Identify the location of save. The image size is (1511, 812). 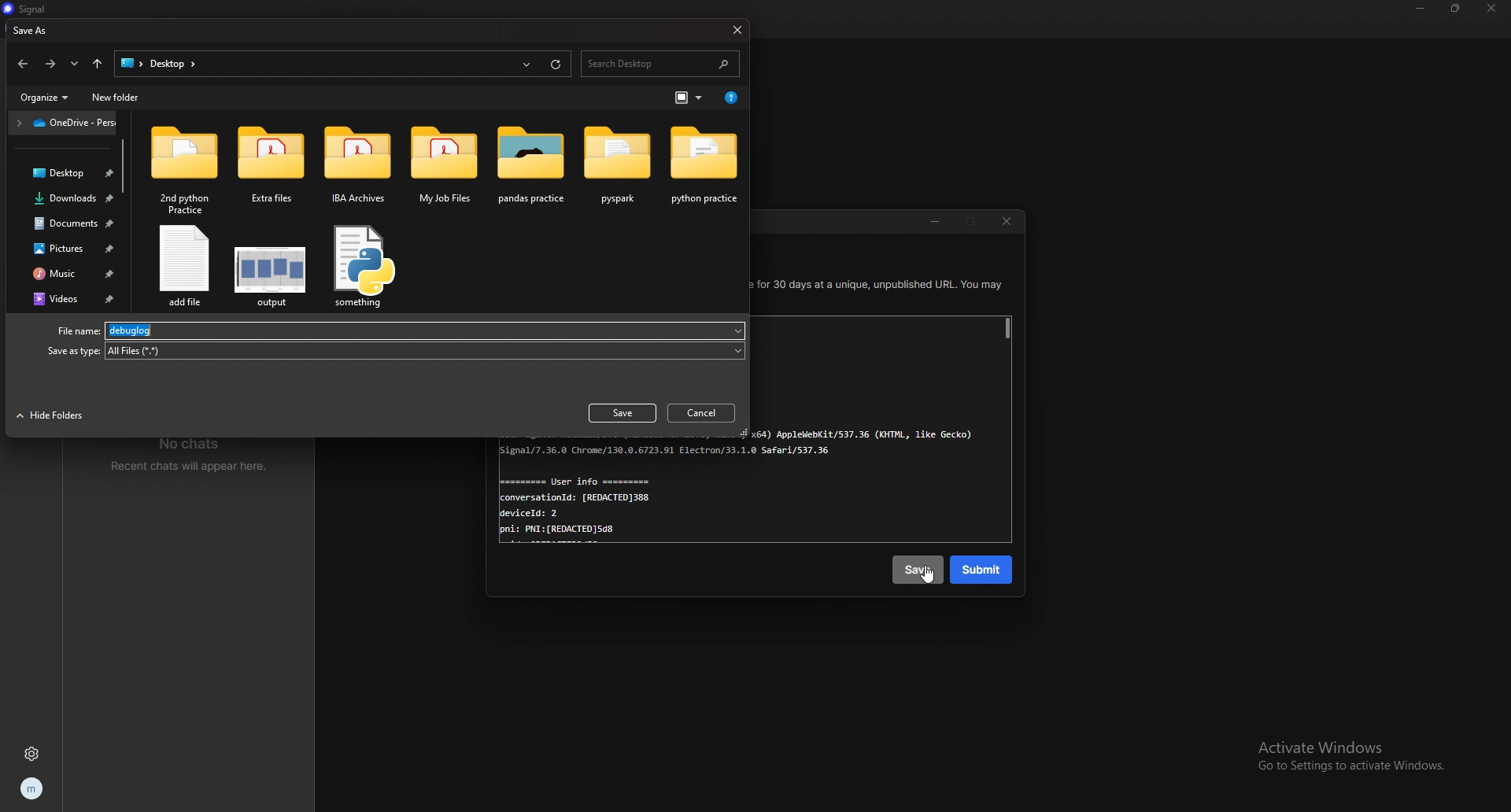
(916, 570).